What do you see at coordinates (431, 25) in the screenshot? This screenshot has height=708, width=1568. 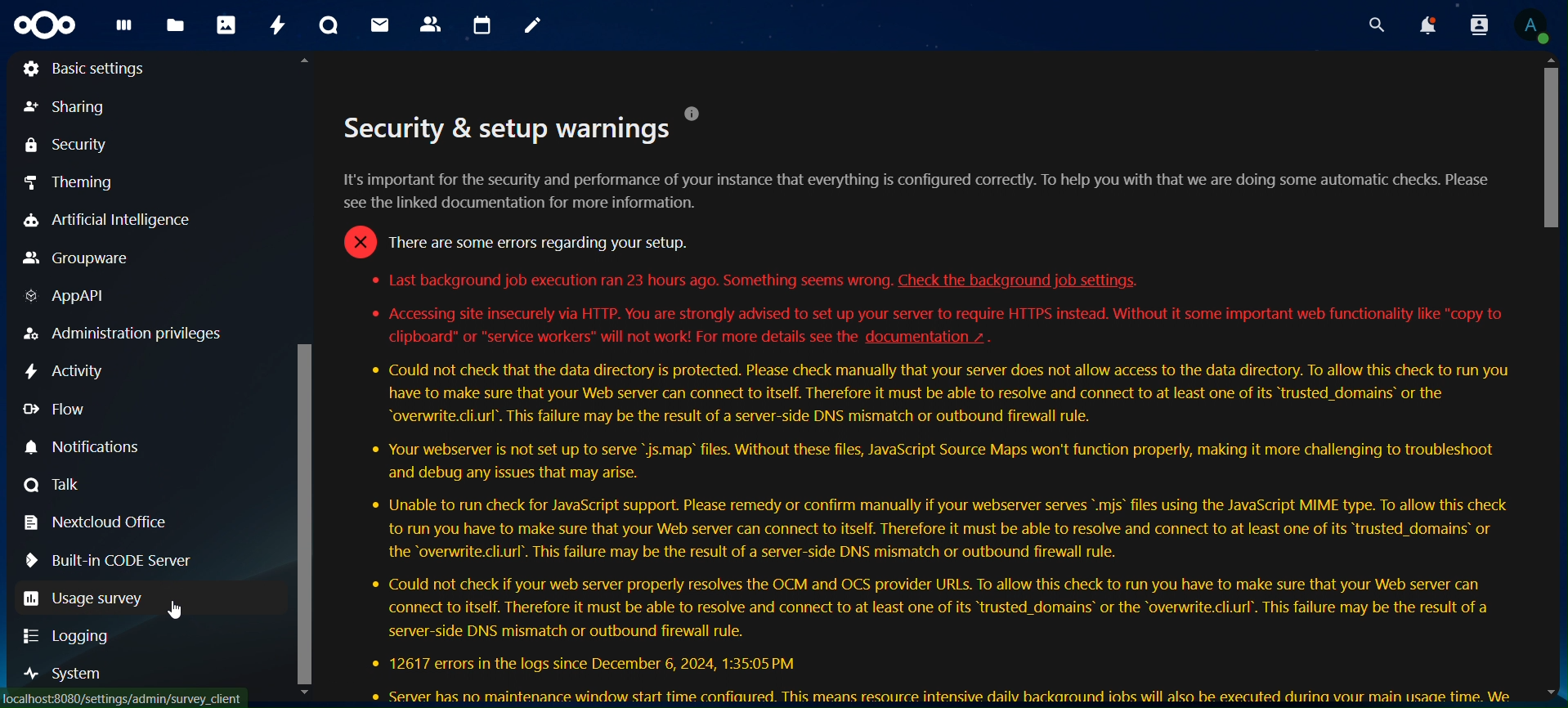 I see `contacts` at bounding box center [431, 25].